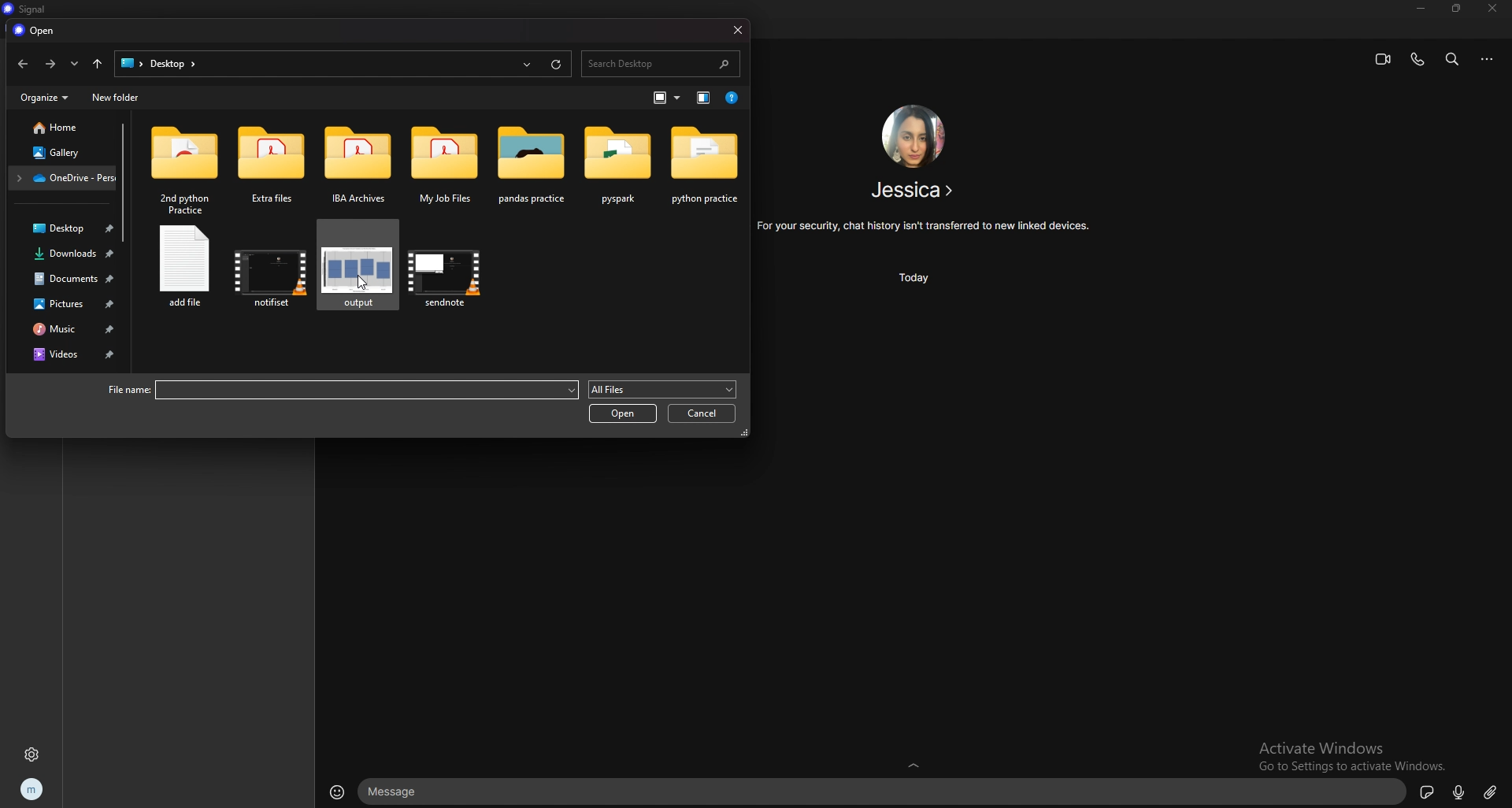 The height and width of the screenshot is (808, 1512). What do you see at coordinates (24, 64) in the screenshot?
I see `back` at bounding box center [24, 64].